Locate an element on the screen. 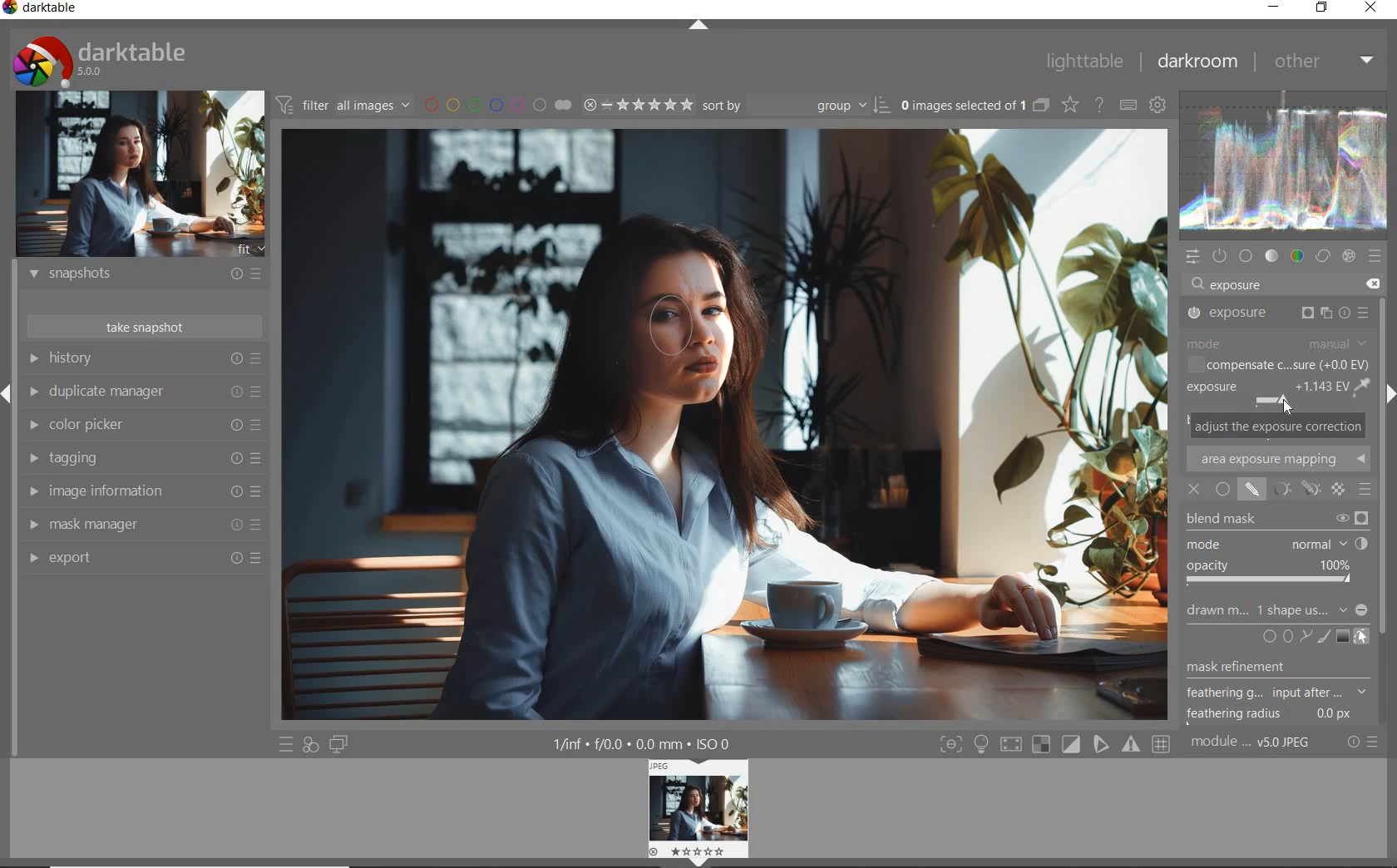  tone is located at coordinates (1271, 255).